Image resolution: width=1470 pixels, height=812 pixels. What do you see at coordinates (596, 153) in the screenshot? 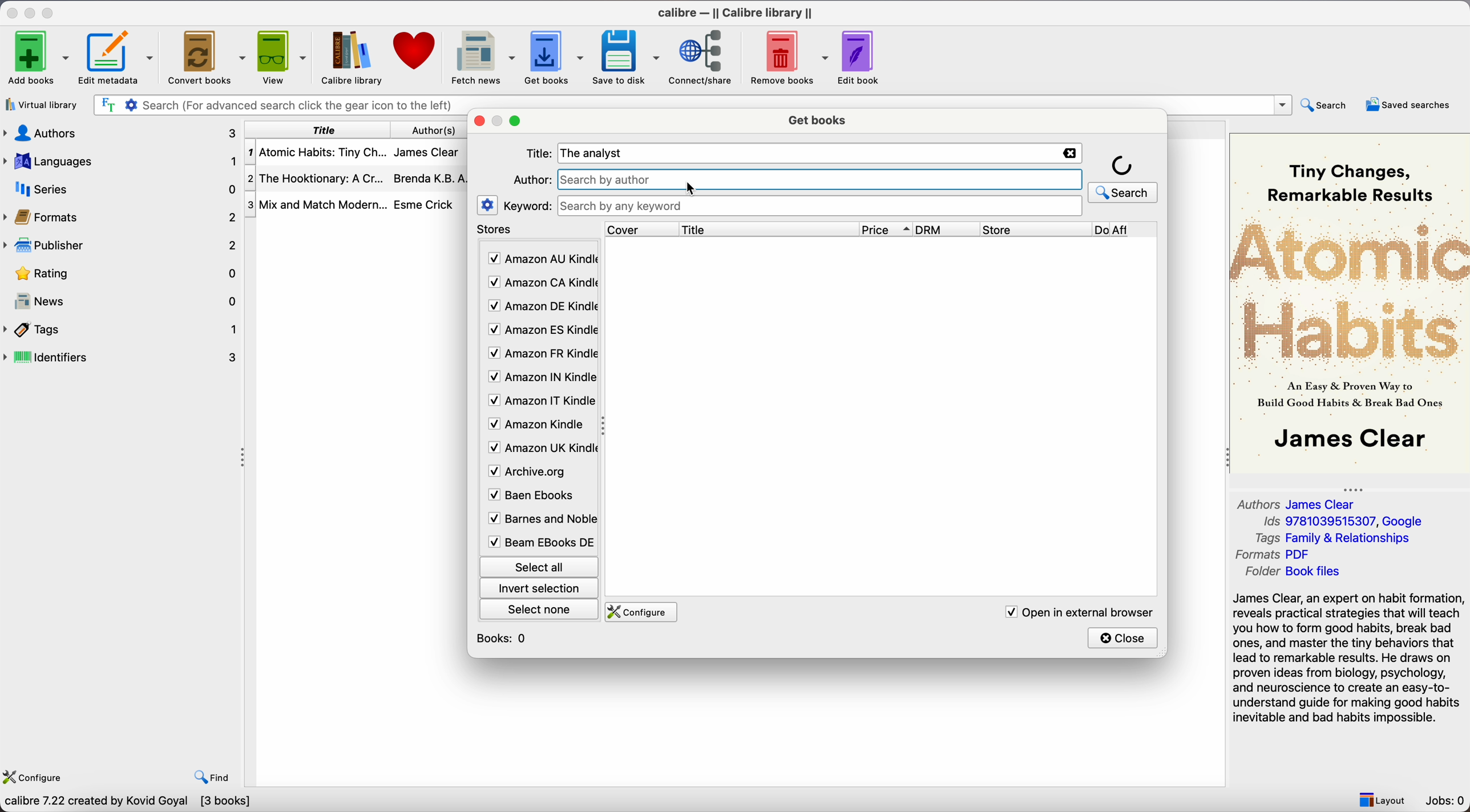
I see `The analyst` at bounding box center [596, 153].